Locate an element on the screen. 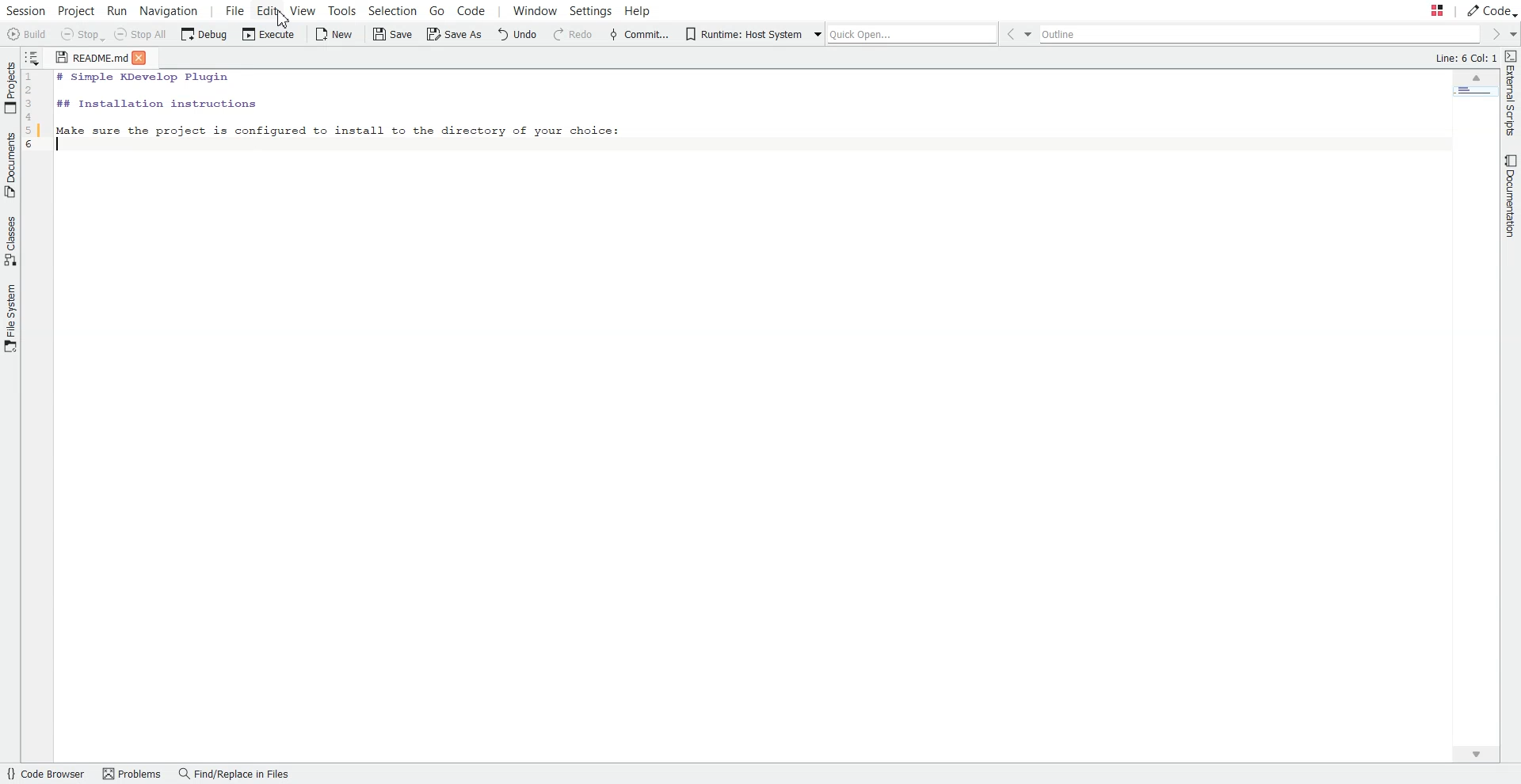  Quick Open is located at coordinates (902, 32).